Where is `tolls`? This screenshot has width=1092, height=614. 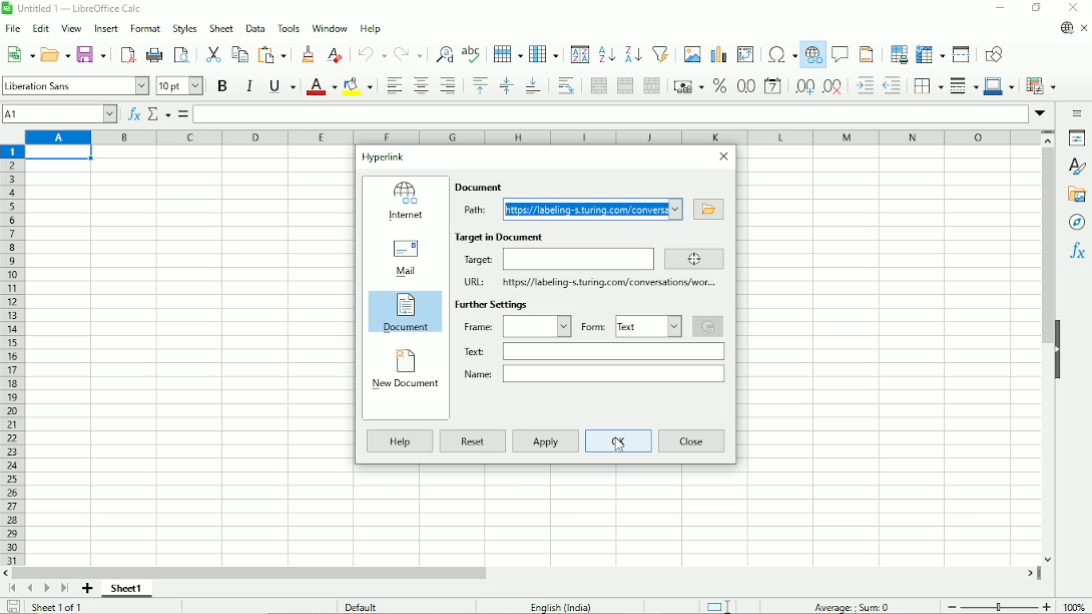
tolls is located at coordinates (288, 27).